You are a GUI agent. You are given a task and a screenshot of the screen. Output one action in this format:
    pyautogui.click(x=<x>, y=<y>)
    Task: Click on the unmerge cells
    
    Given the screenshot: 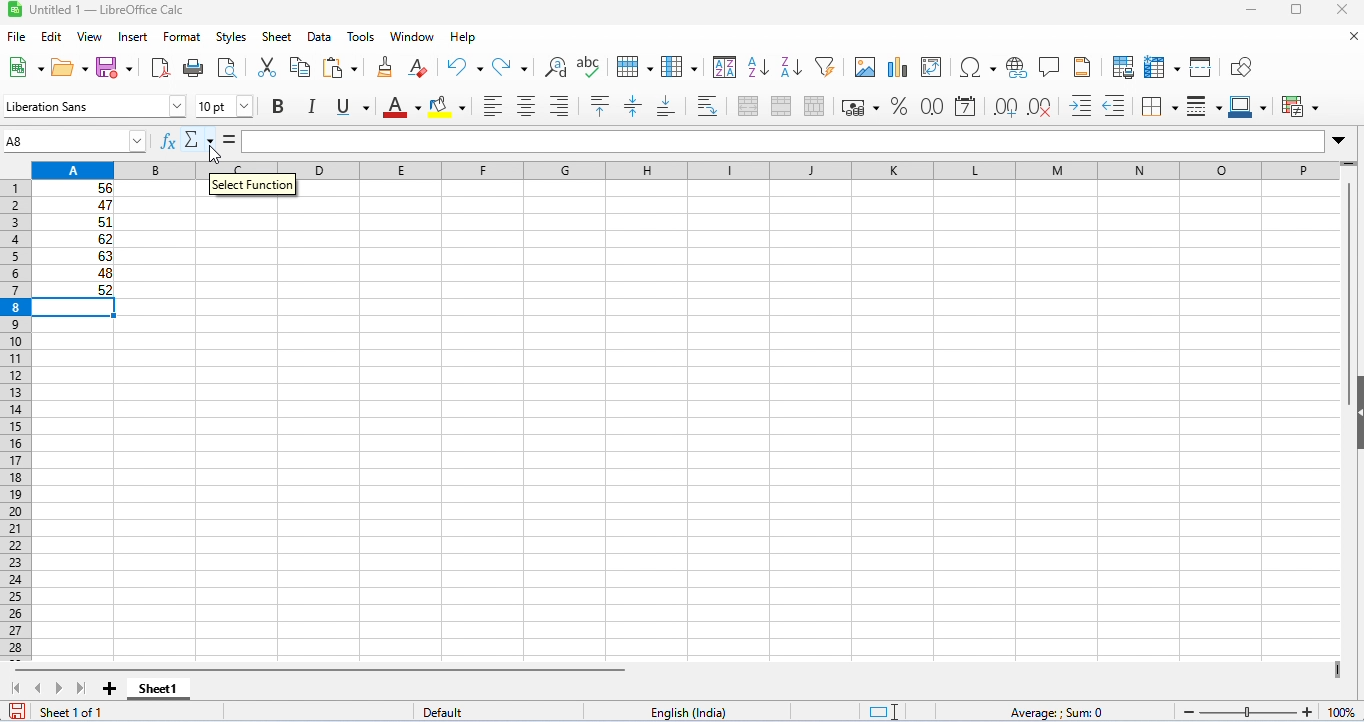 What is the action you would take?
    pyautogui.click(x=814, y=106)
    